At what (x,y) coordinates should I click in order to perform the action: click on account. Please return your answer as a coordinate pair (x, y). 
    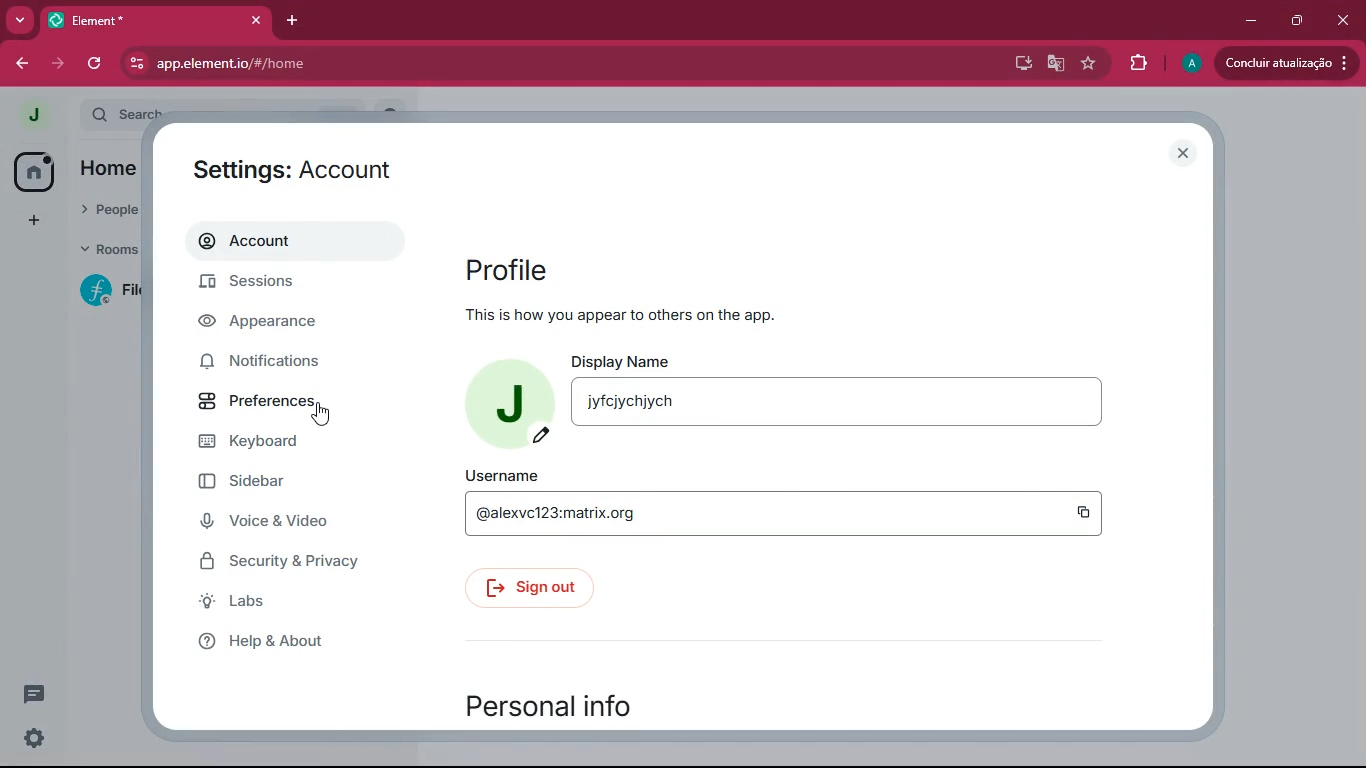
    Looking at the image, I should click on (295, 239).